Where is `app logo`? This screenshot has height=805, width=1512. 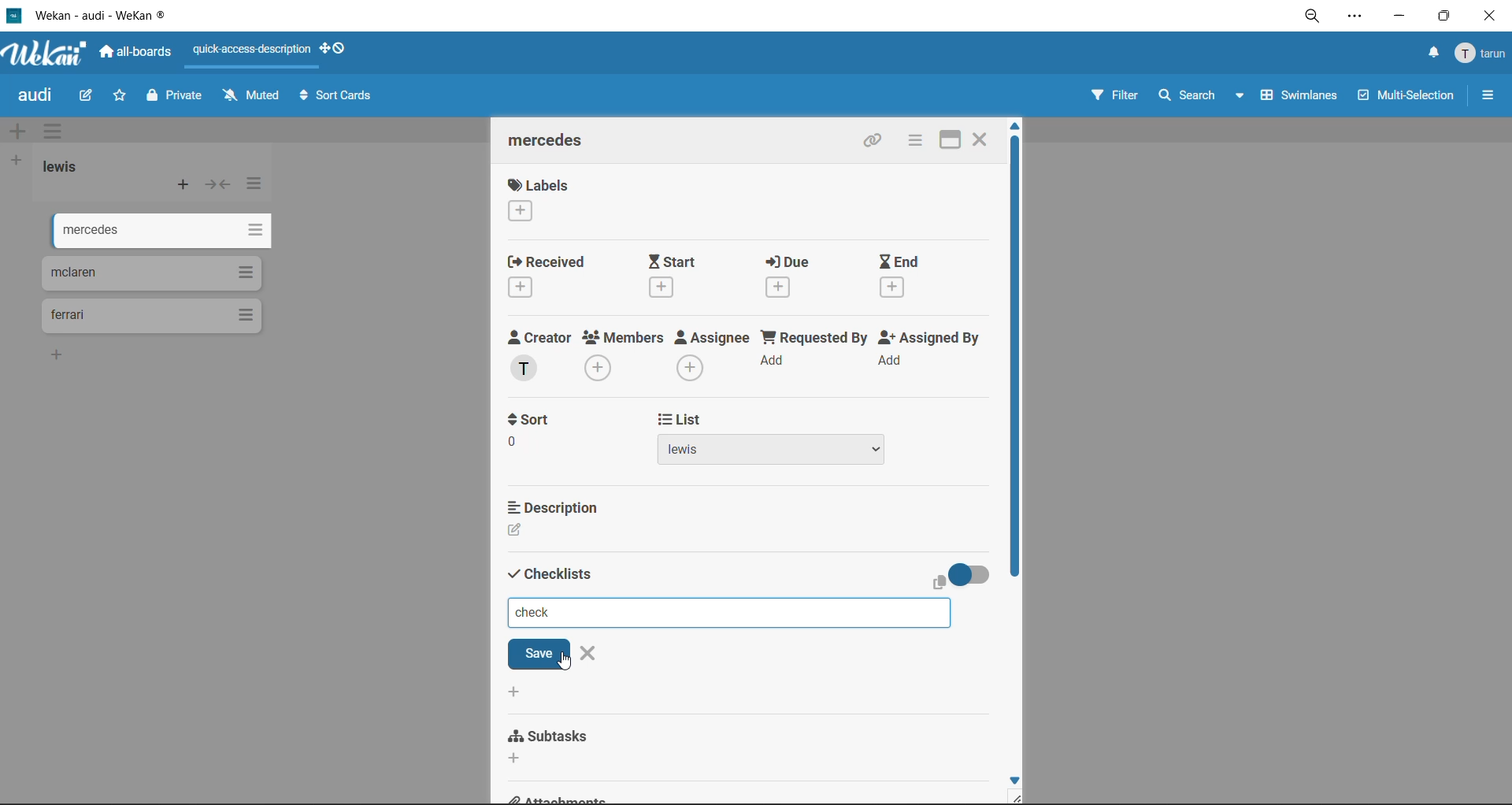
app logo is located at coordinates (43, 55).